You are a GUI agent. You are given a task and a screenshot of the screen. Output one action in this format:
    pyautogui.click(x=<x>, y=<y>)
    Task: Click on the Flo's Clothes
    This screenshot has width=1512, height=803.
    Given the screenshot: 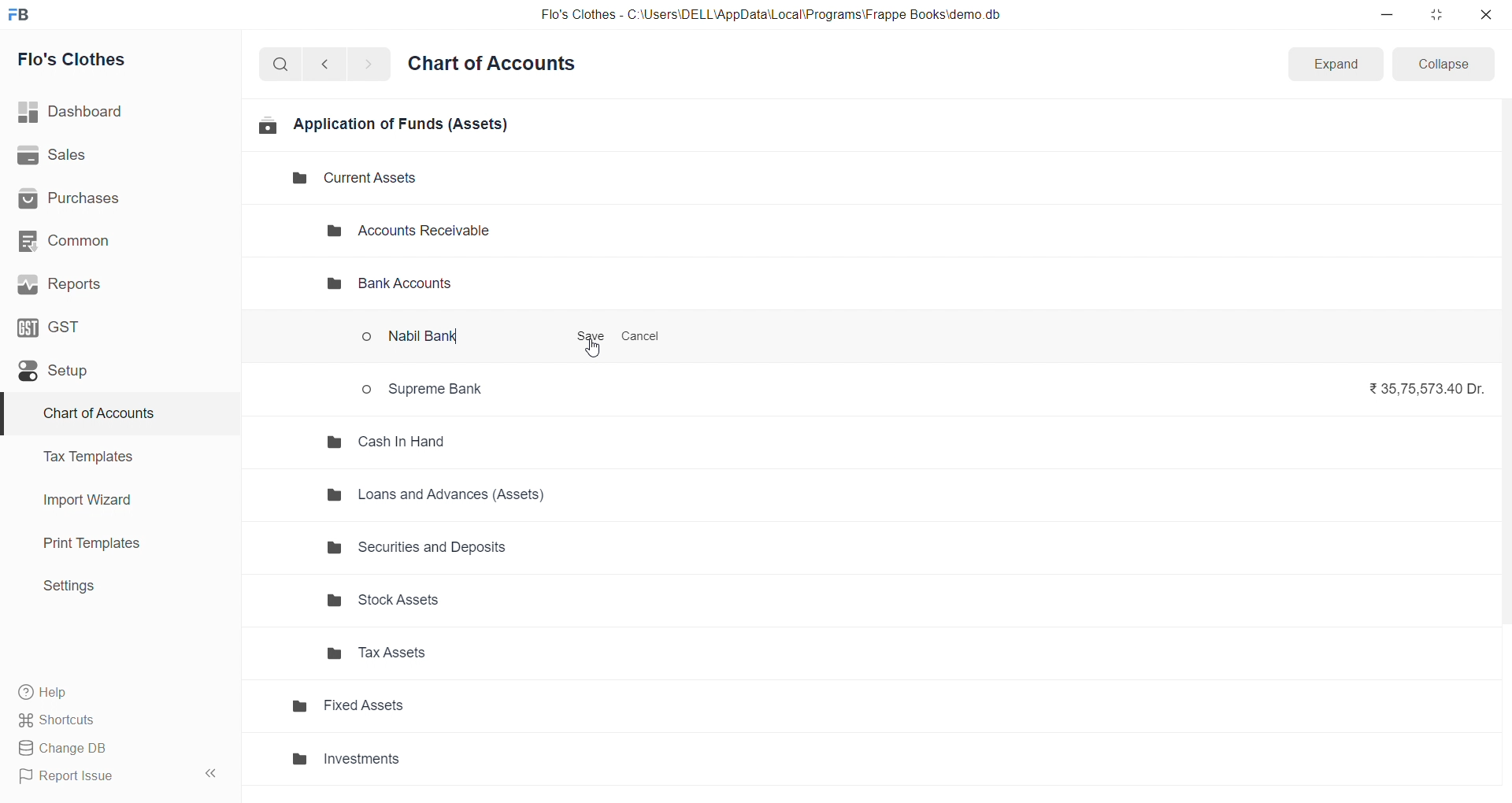 What is the action you would take?
    pyautogui.click(x=113, y=60)
    